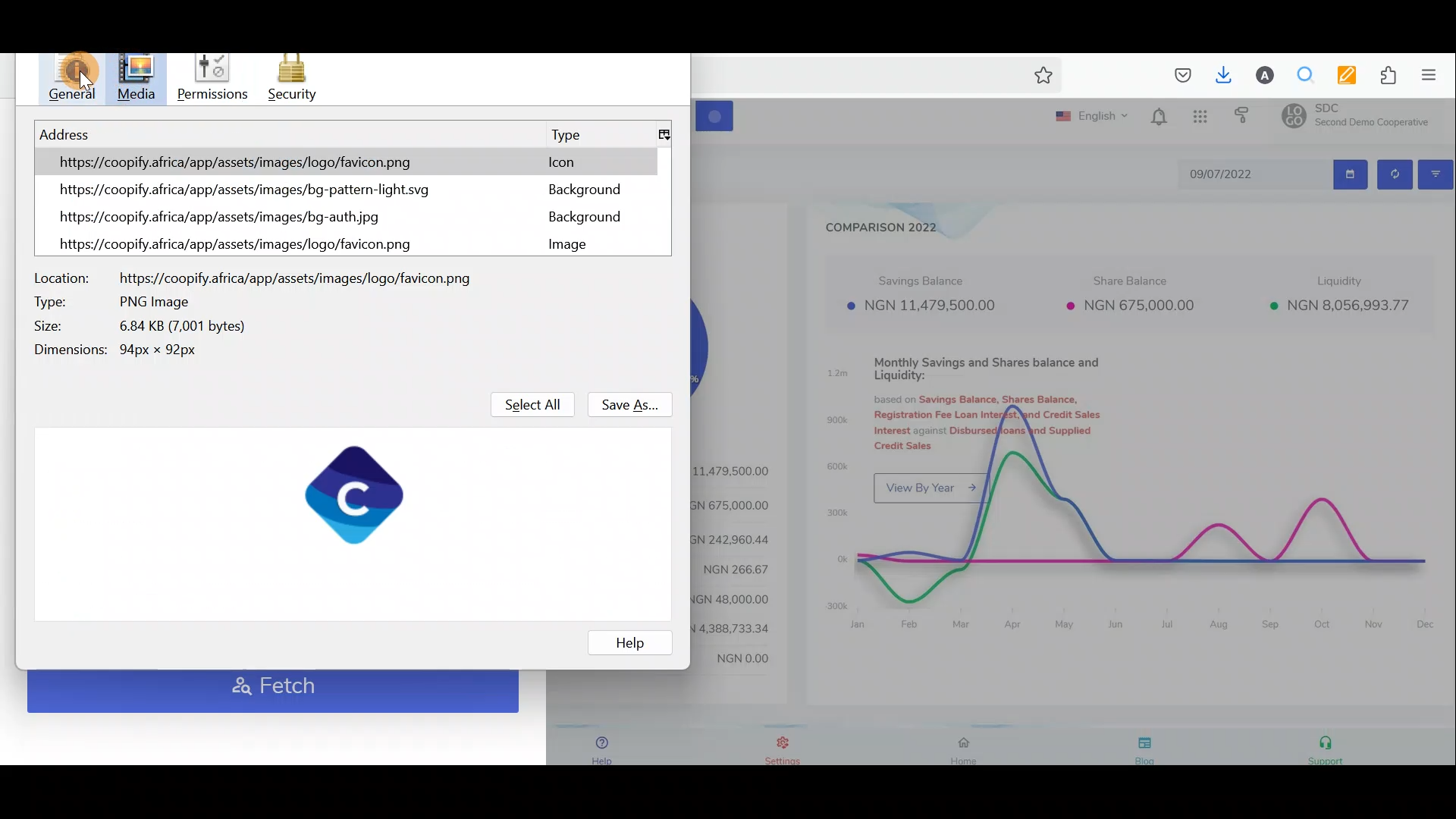 This screenshot has width=1456, height=819. Describe the element at coordinates (522, 400) in the screenshot. I see `Select all` at that location.